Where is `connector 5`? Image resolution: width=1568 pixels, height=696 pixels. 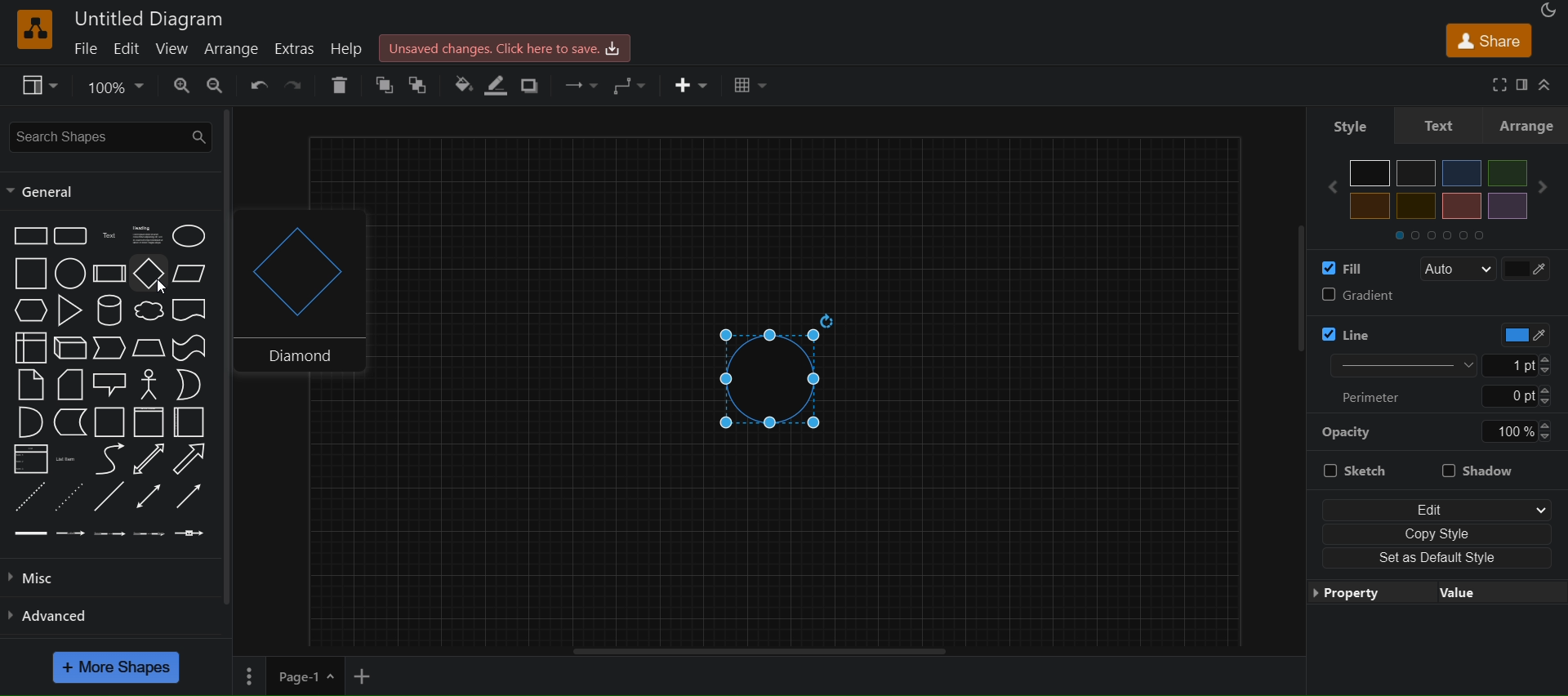
connector 5 is located at coordinates (189, 533).